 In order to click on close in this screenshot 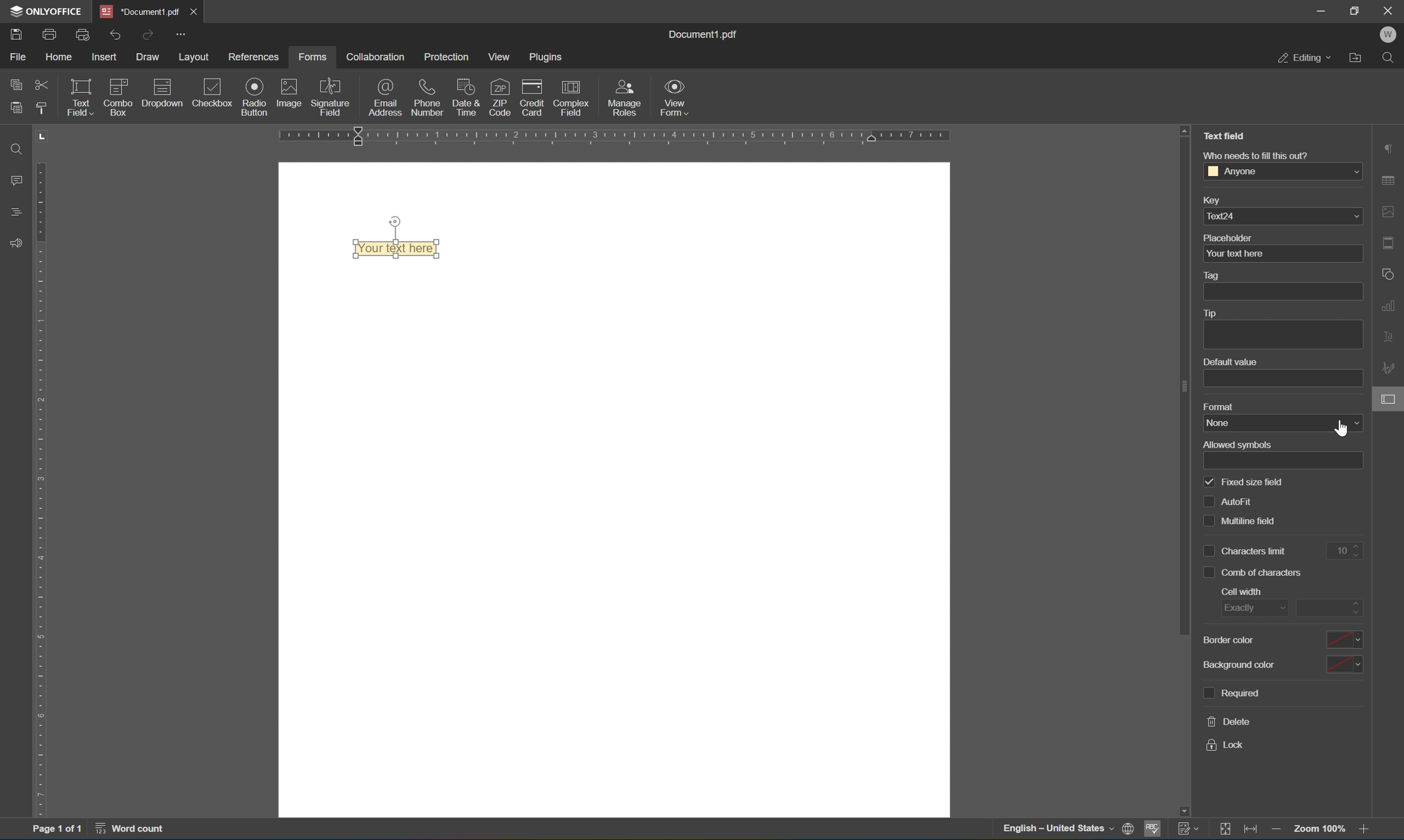, I will do `click(1390, 9)`.